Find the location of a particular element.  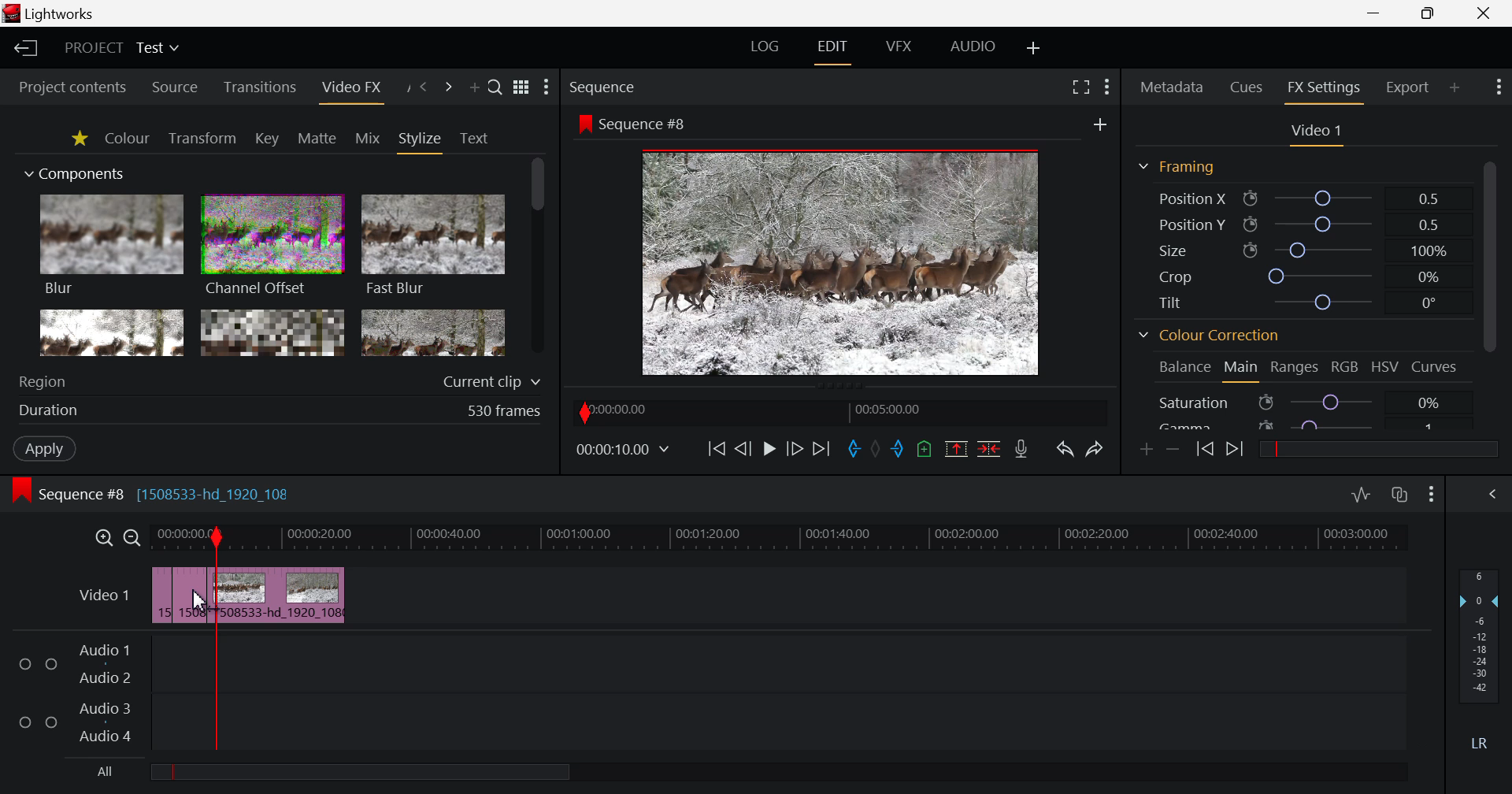

Inserted Clip is located at coordinates (270, 595).